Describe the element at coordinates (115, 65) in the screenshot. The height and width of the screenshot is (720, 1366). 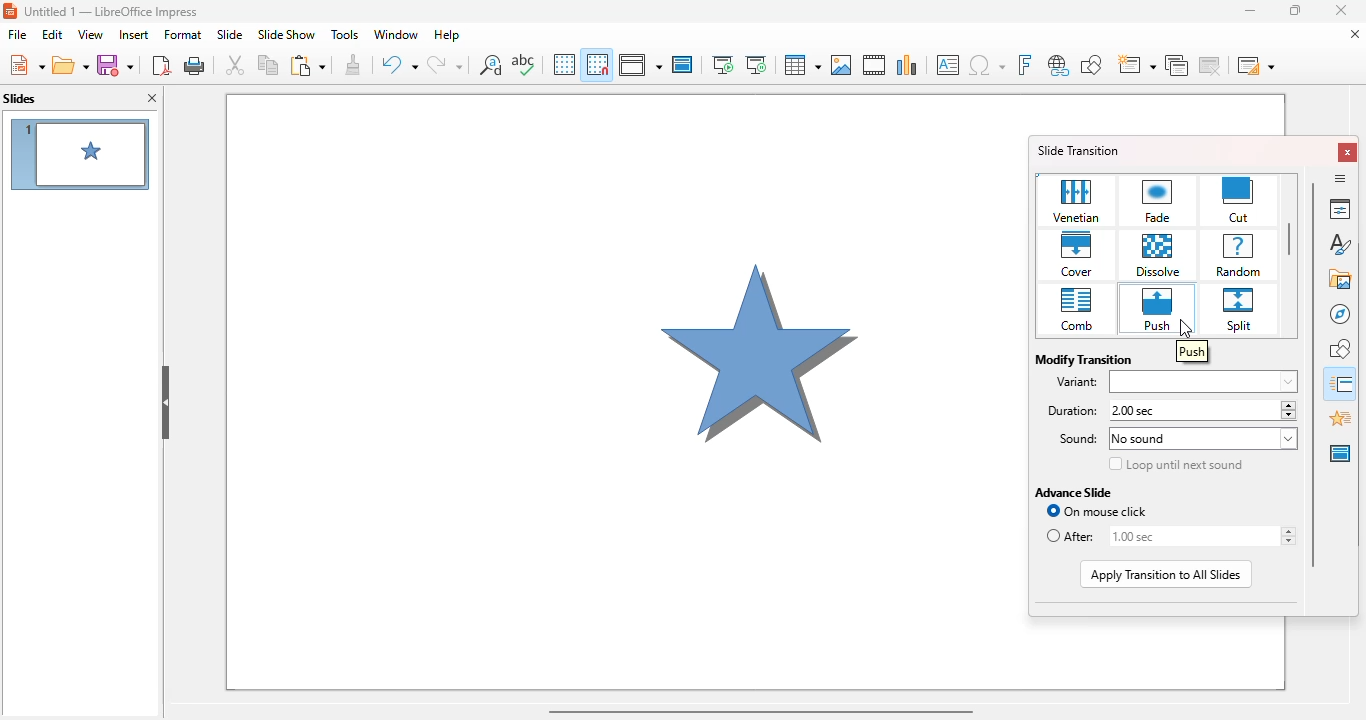
I see `save` at that location.